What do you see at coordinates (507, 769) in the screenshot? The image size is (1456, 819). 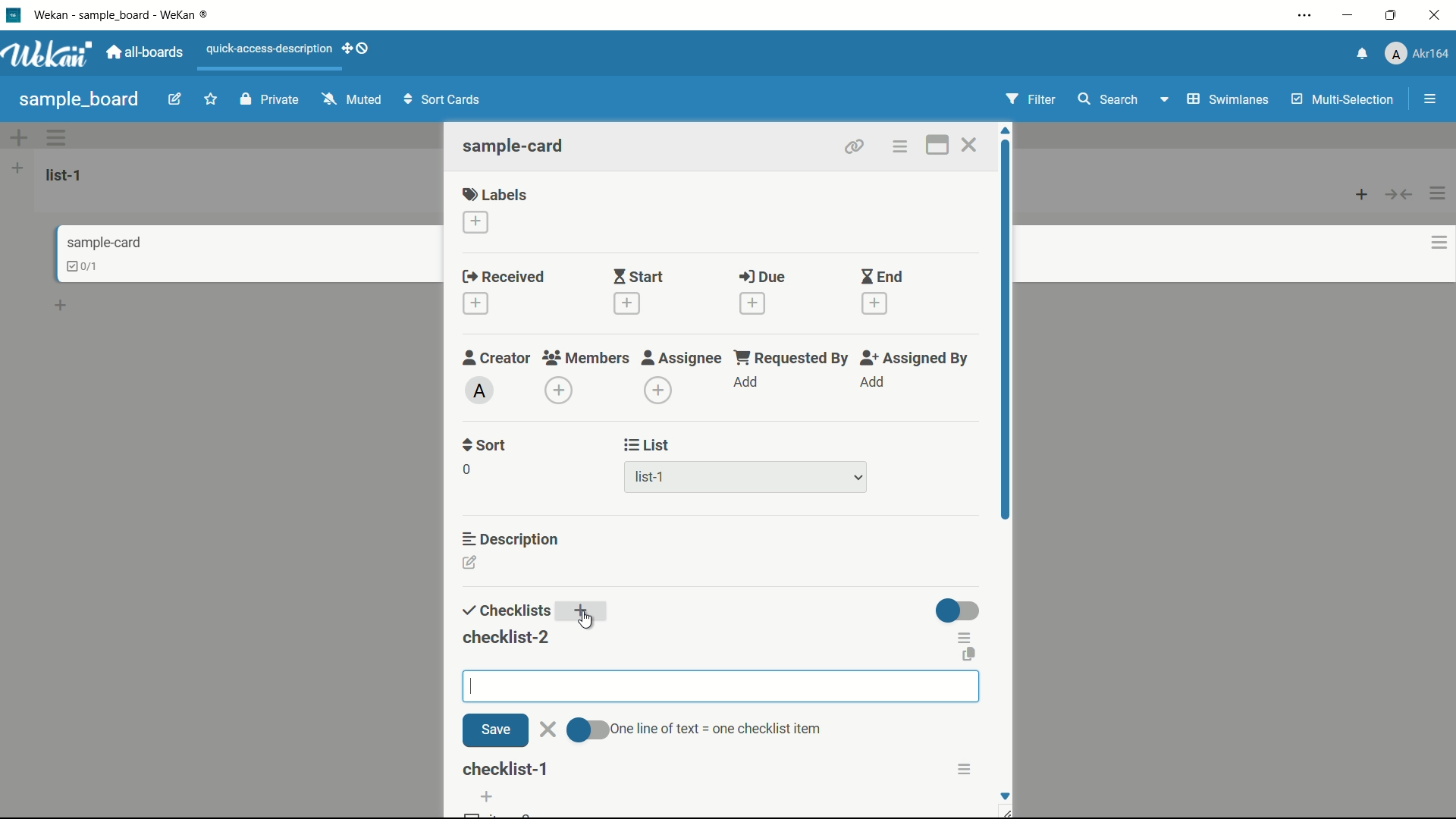 I see `checlist-1` at bounding box center [507, 769].